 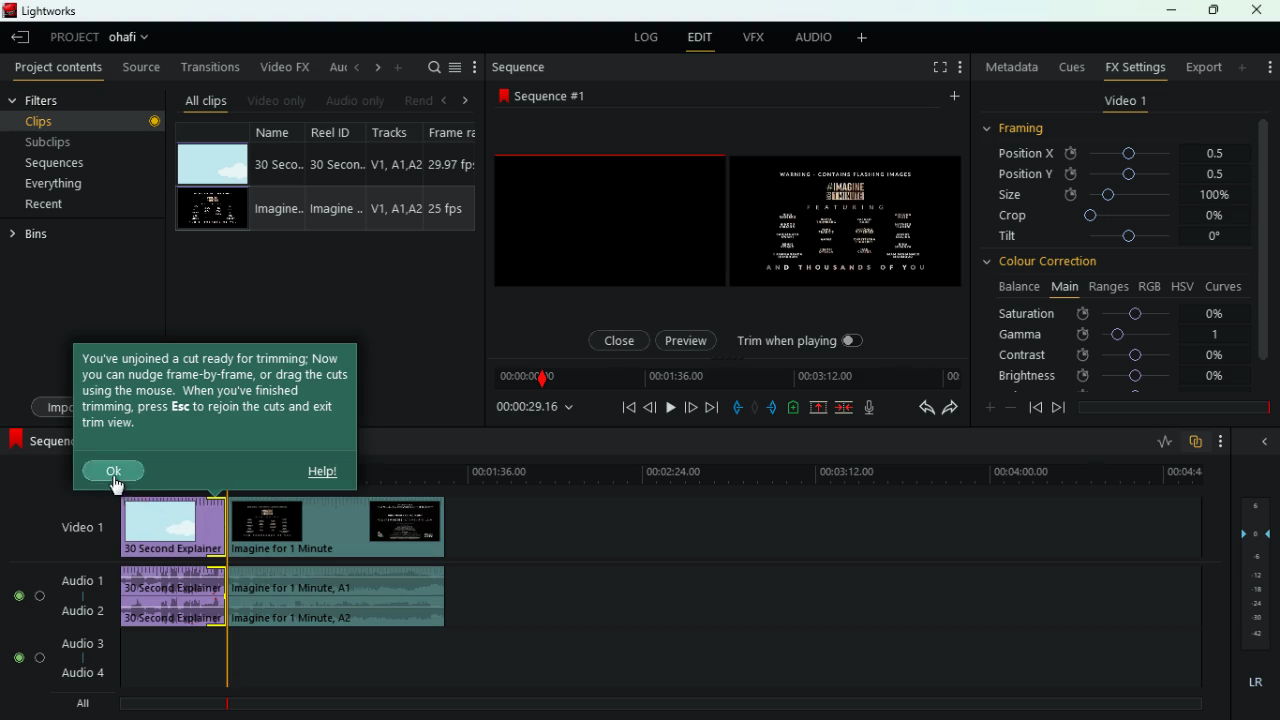 I want to click on everything, so click(x=71, y=184).